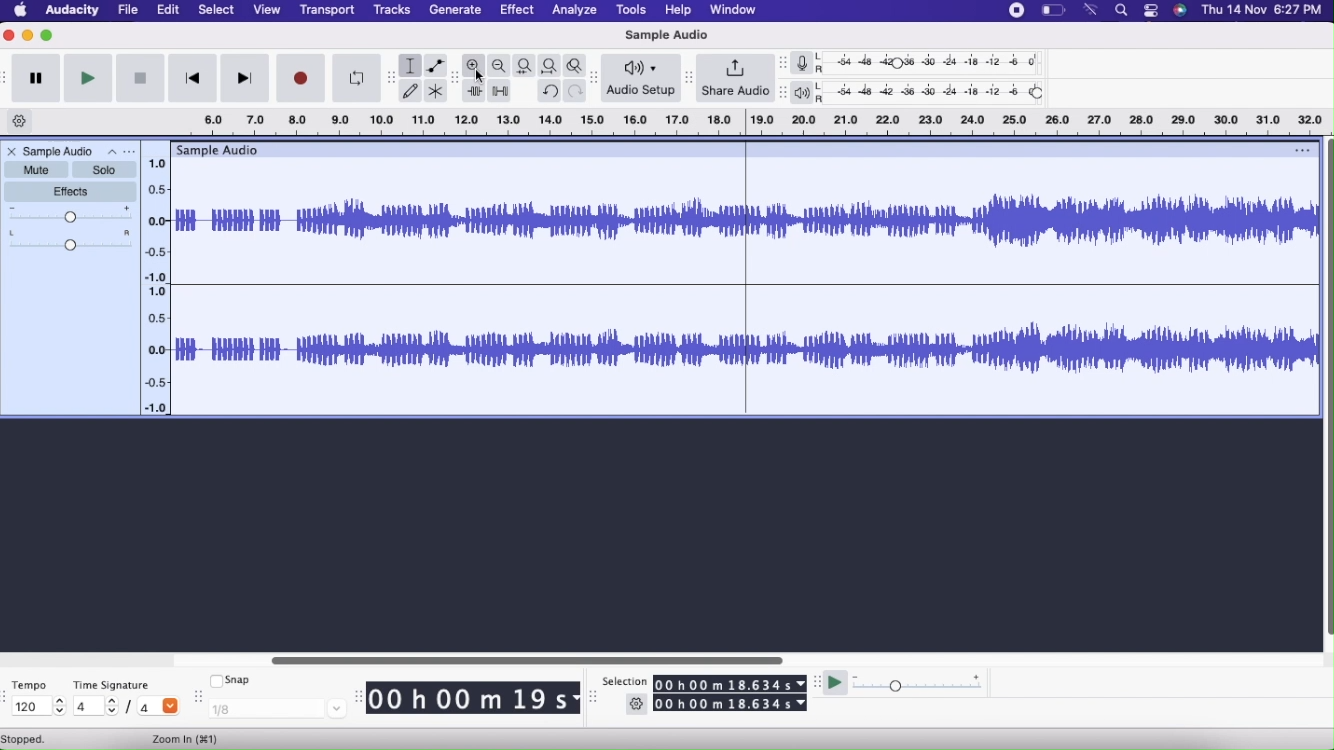 The width and height of the screenshot is (1334, 750). Describe the element at coordinates (277, 710) in the screenshot. I see `1/8` at that location.